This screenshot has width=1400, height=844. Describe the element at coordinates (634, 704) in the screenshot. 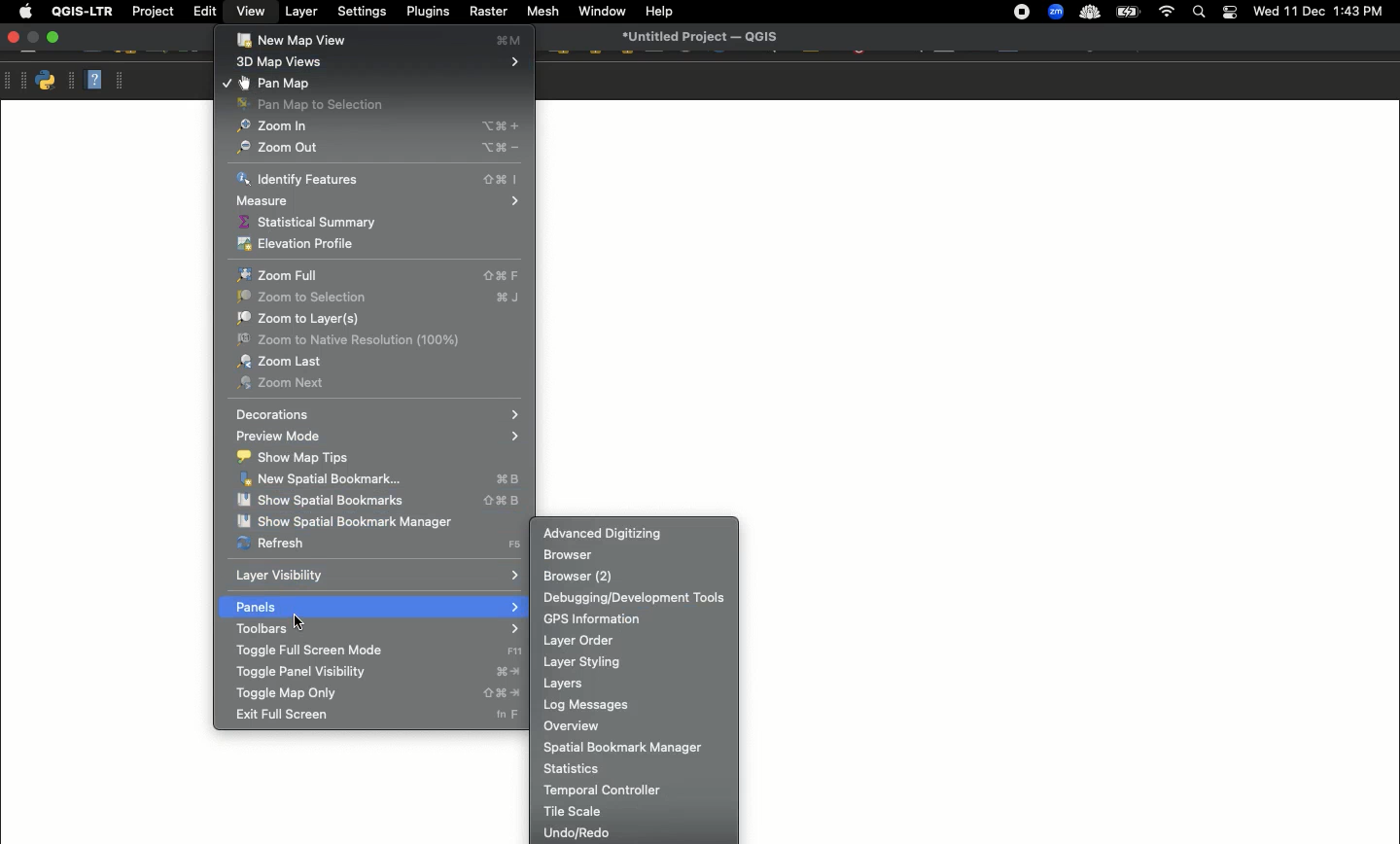

I see `Log messages` at that location.